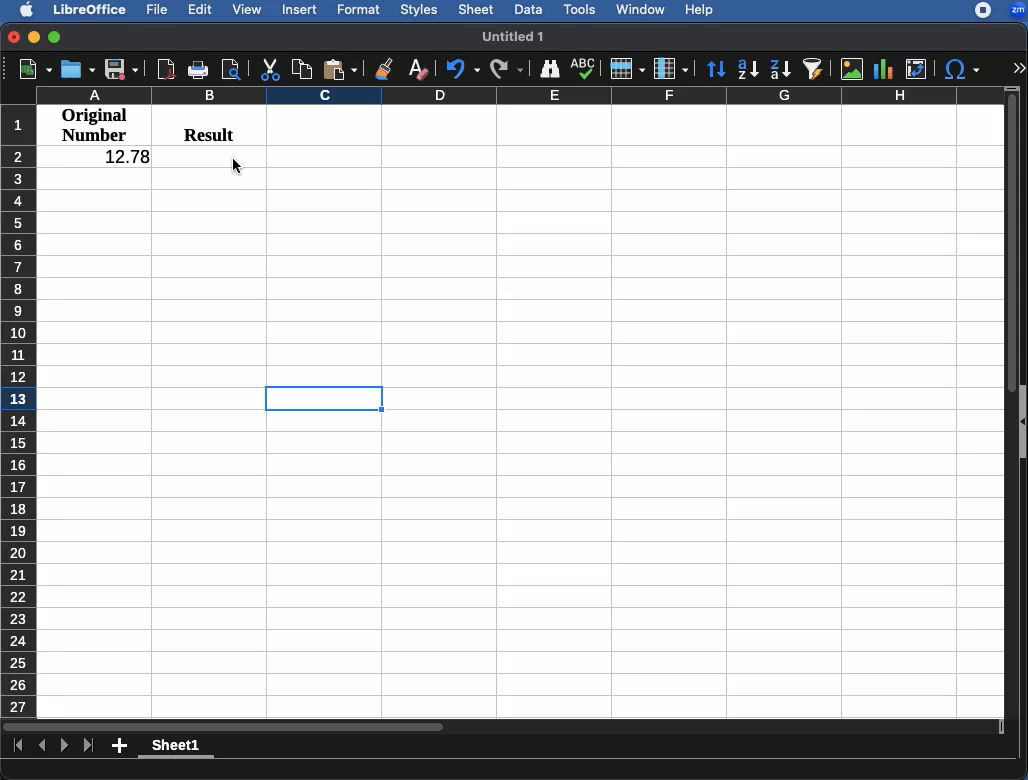 This screenshot has width=1028, height=780. I want to click on Close, so click(12, 39).